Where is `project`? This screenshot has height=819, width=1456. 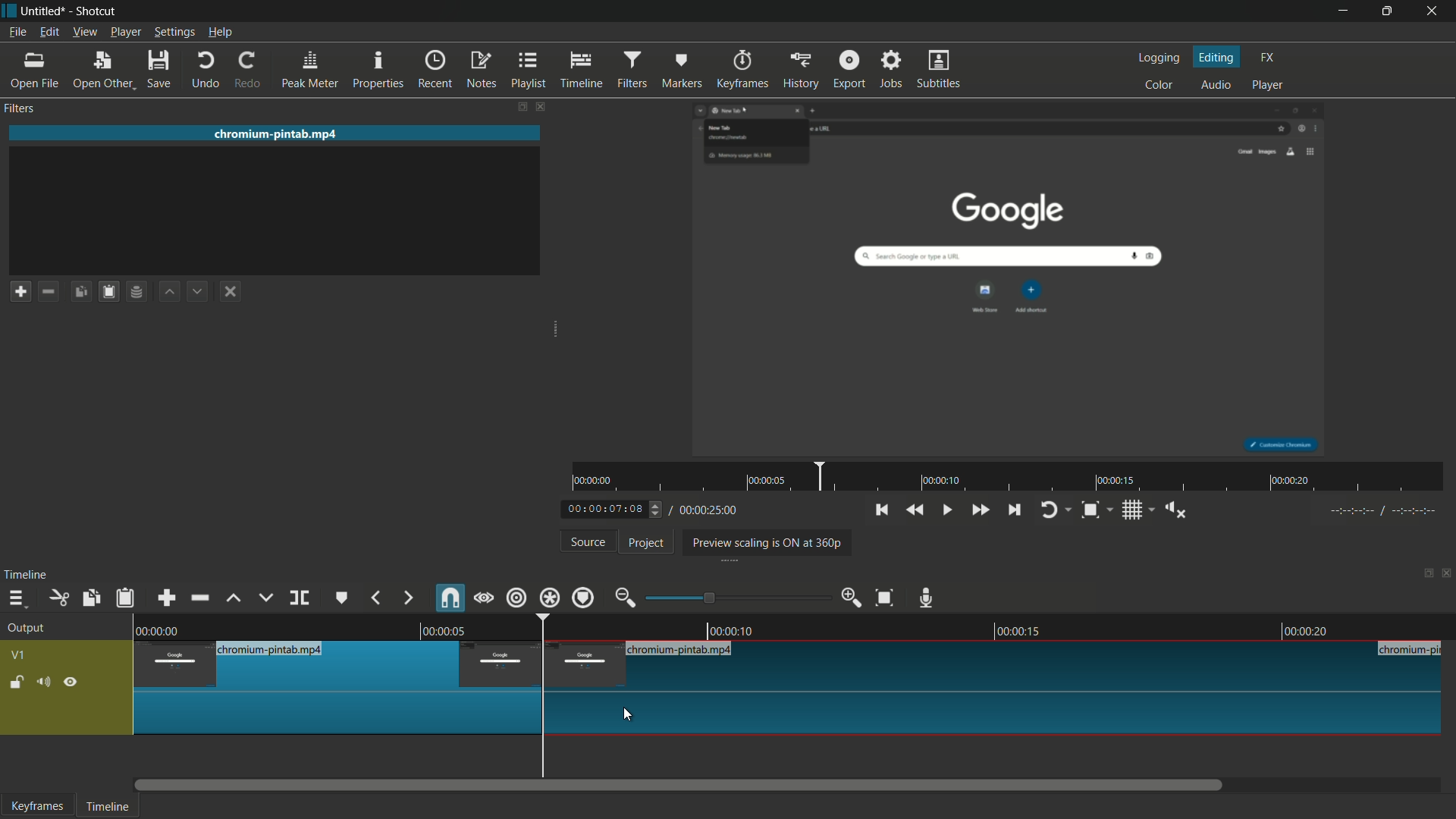 project is located at coordinates (647, 543).